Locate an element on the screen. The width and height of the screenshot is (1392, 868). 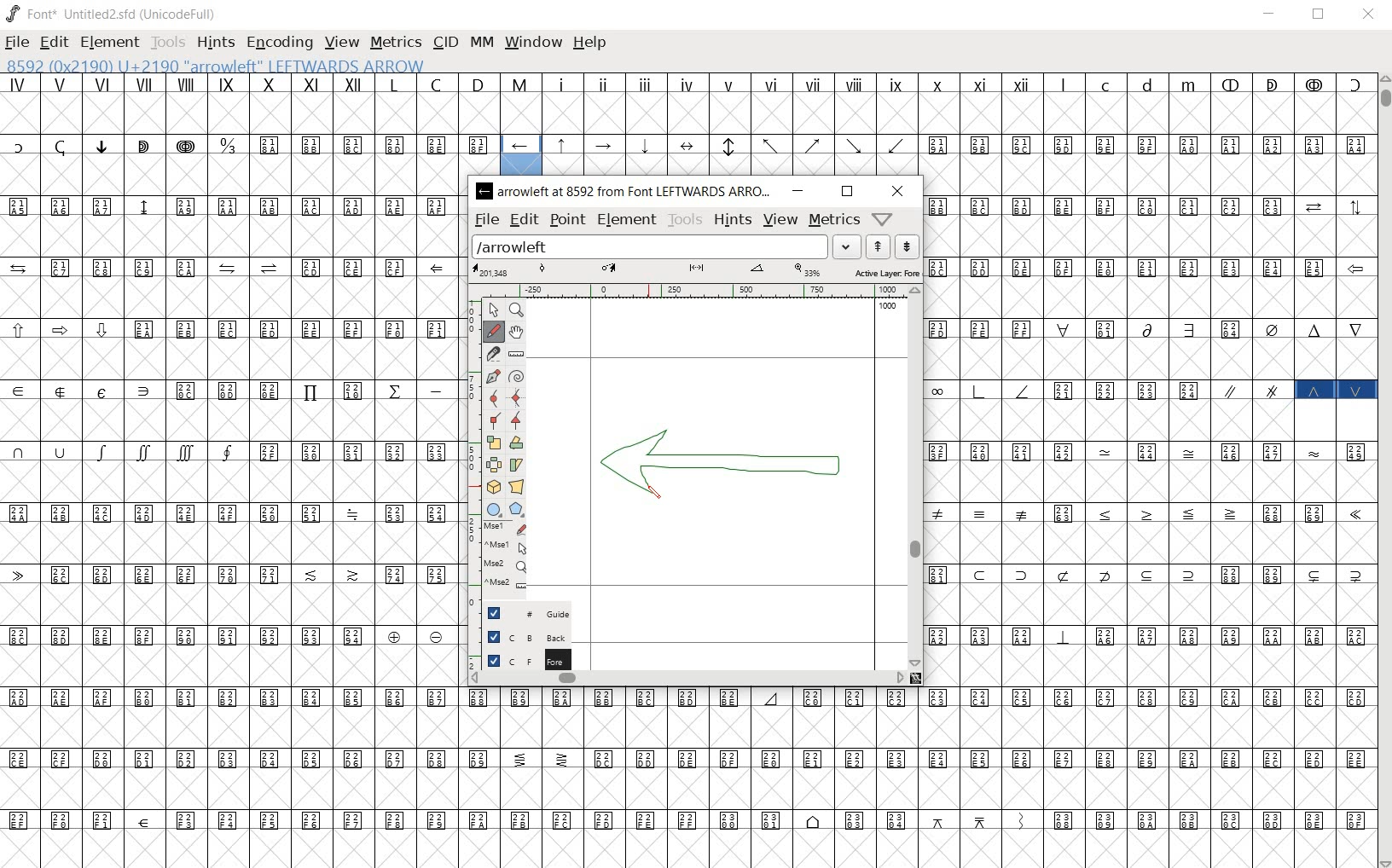
minimize is located at coordinates (800, 191).